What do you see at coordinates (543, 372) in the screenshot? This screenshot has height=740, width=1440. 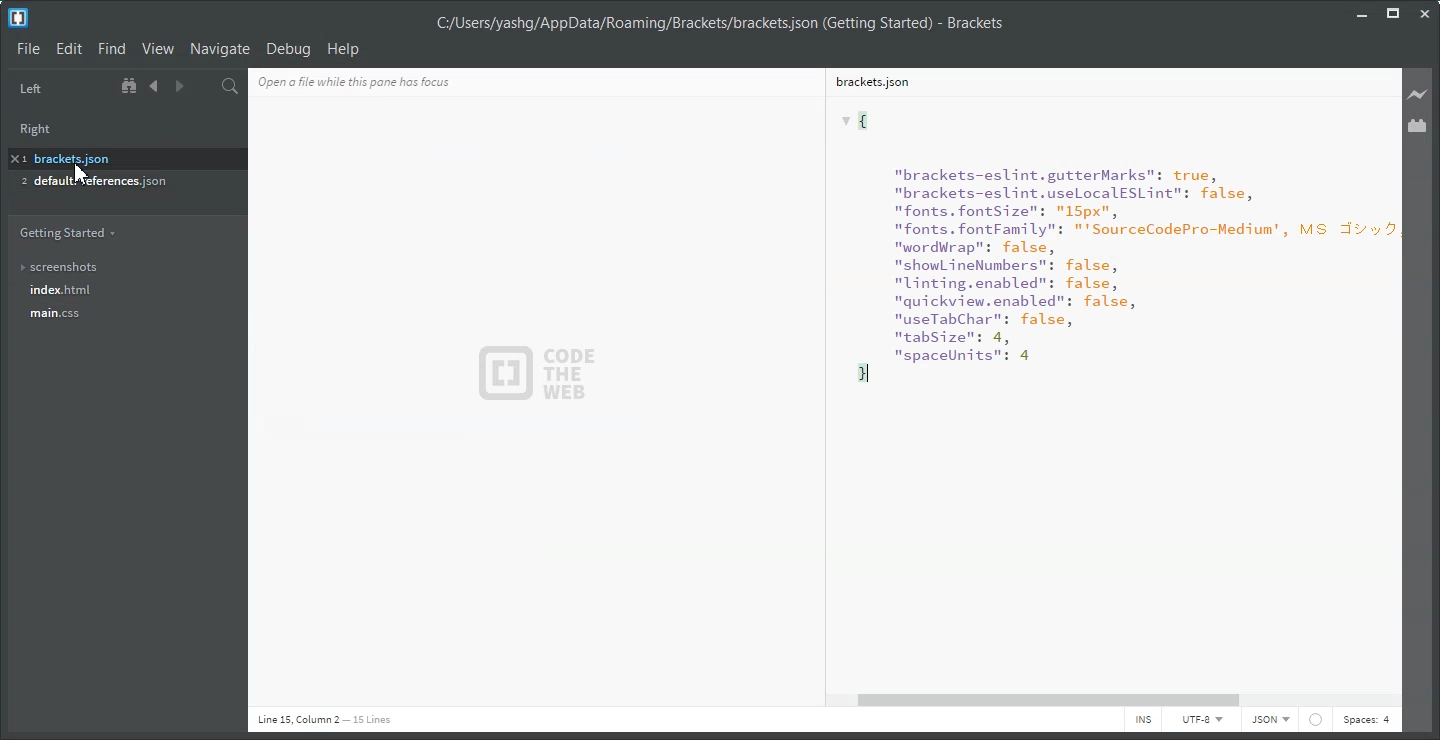 I see `image` at bounding box center [543, 372].